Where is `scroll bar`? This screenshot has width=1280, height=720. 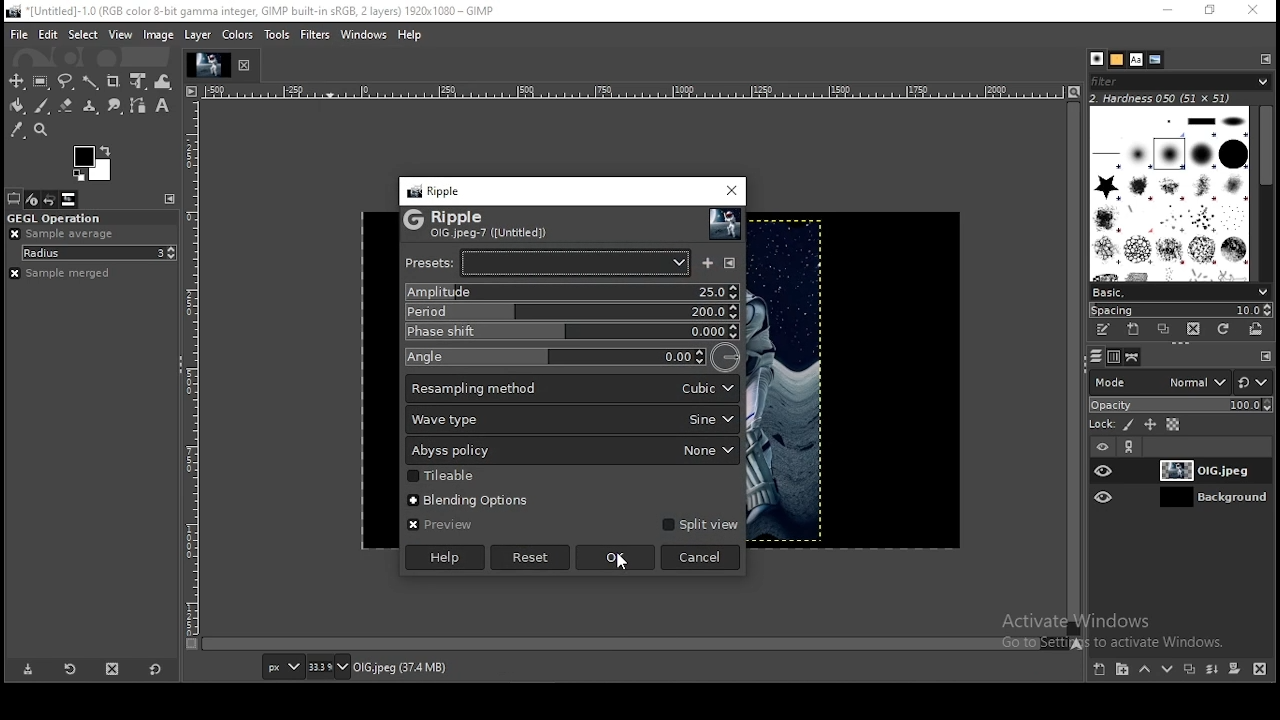 scroll bar is located at coordinates (1074, 369).